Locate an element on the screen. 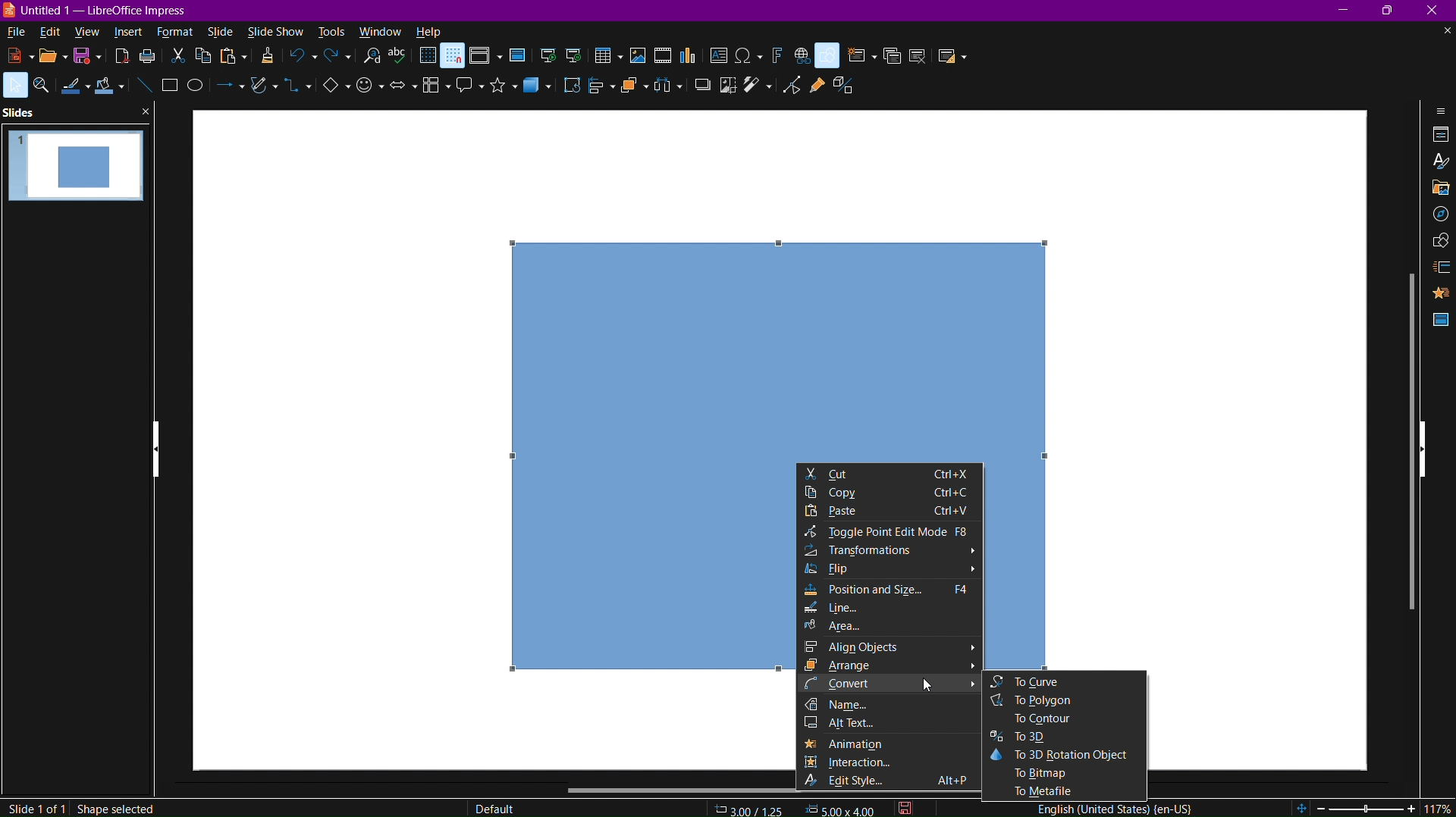 The width and height of the screenshot is (1456, 817). Insert Graph is located at coordinates (689, 57).